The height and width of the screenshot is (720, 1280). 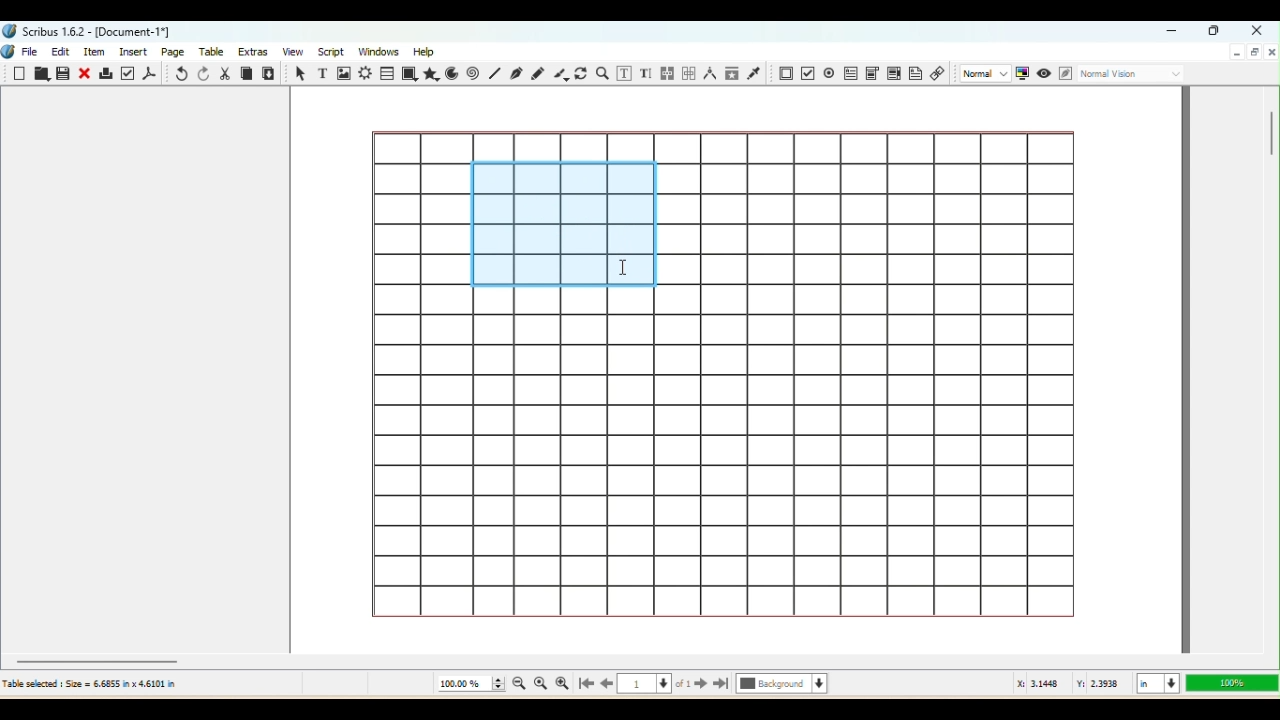 I want to click on Polygon, so click(x=432, y=75).